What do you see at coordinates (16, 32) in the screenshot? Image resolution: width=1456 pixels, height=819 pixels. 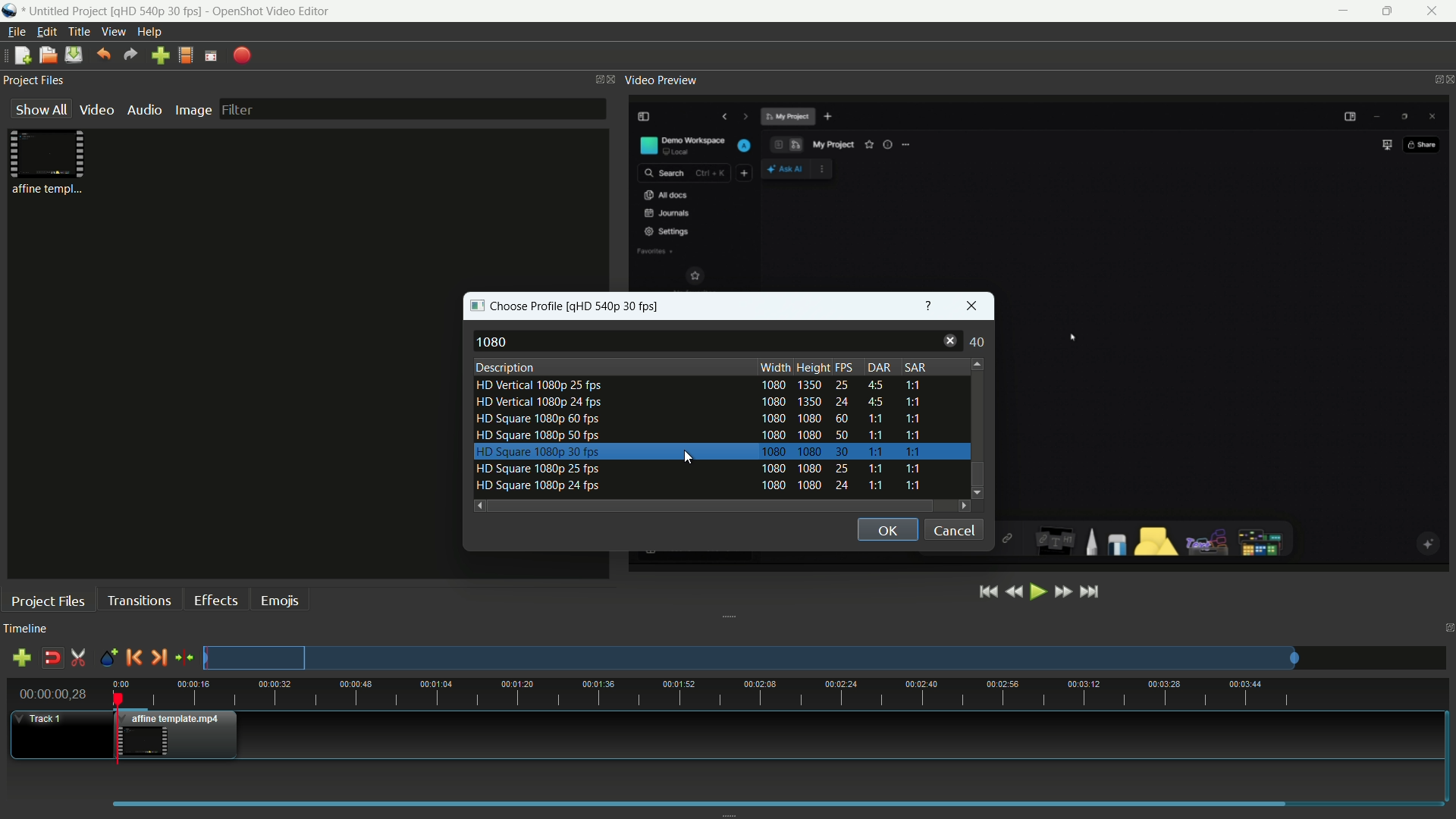 I see `file menu` at bounding box center [16, 32].